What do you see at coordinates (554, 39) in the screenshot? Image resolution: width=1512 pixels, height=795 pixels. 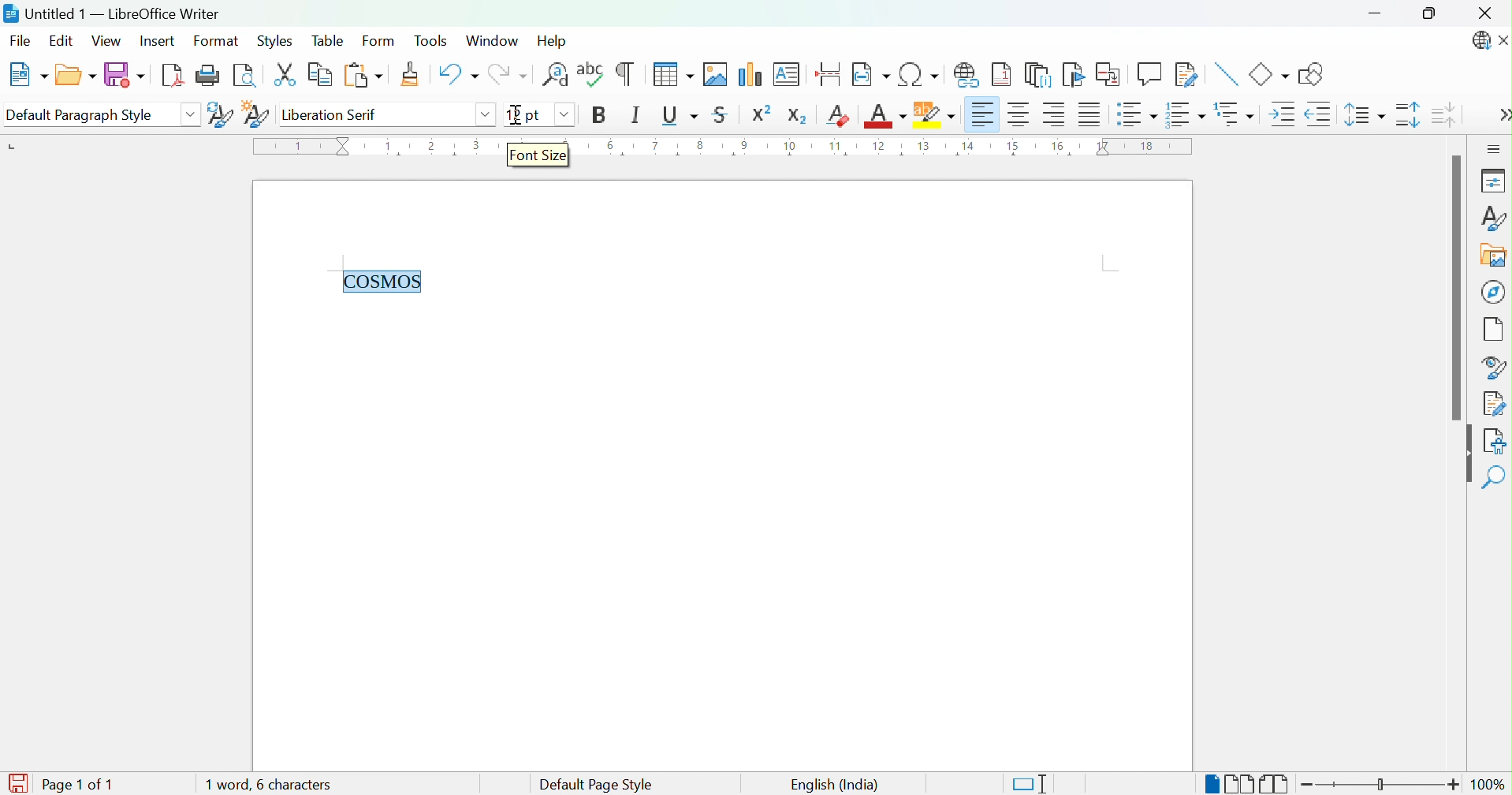 I see `Help` at bounding box center [554, 39].